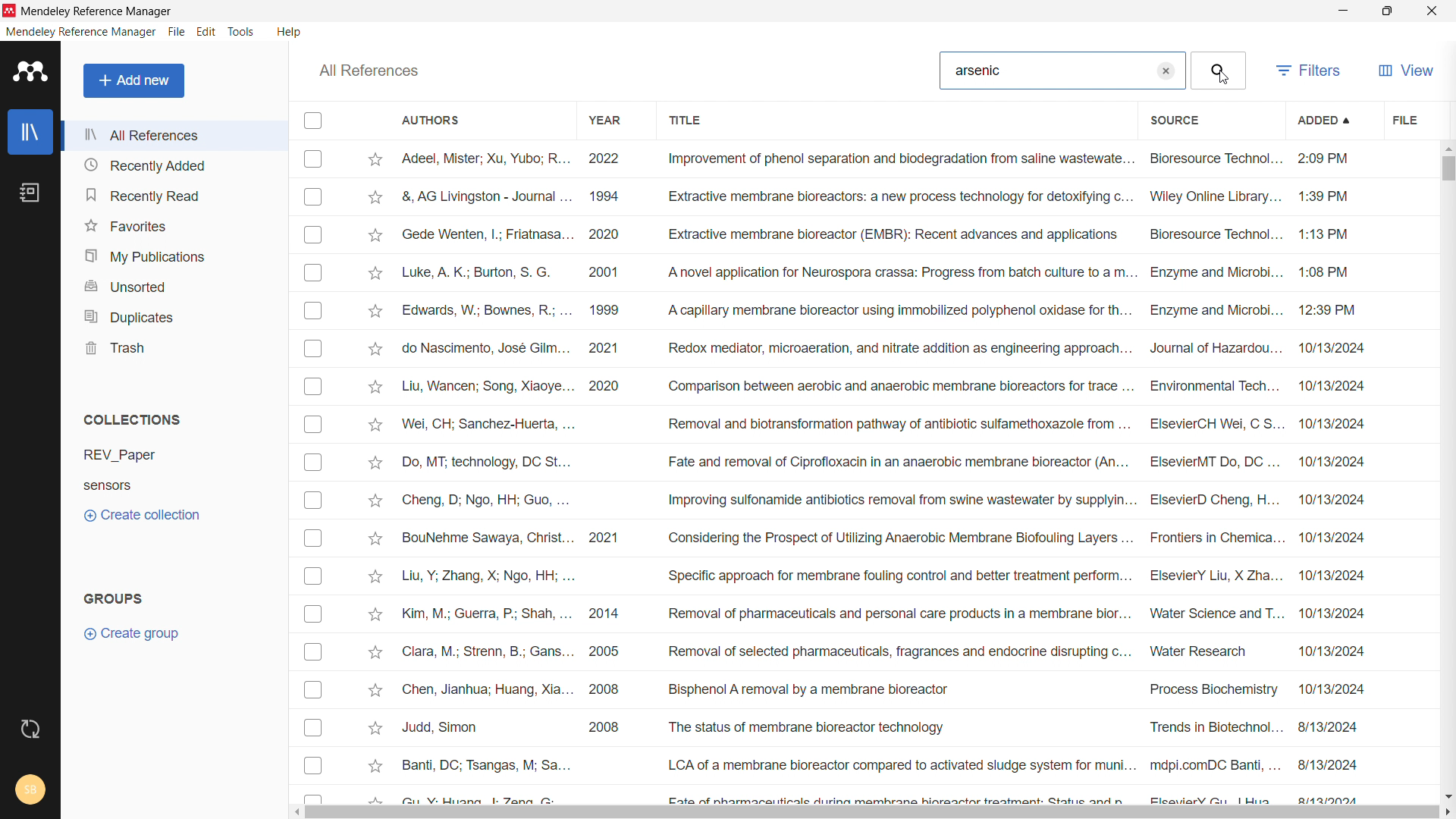 The width and height of the screenshot is (1456, 819). Describe the element at coordinates (896, 120) in the screenshot. I see `title` at that location.